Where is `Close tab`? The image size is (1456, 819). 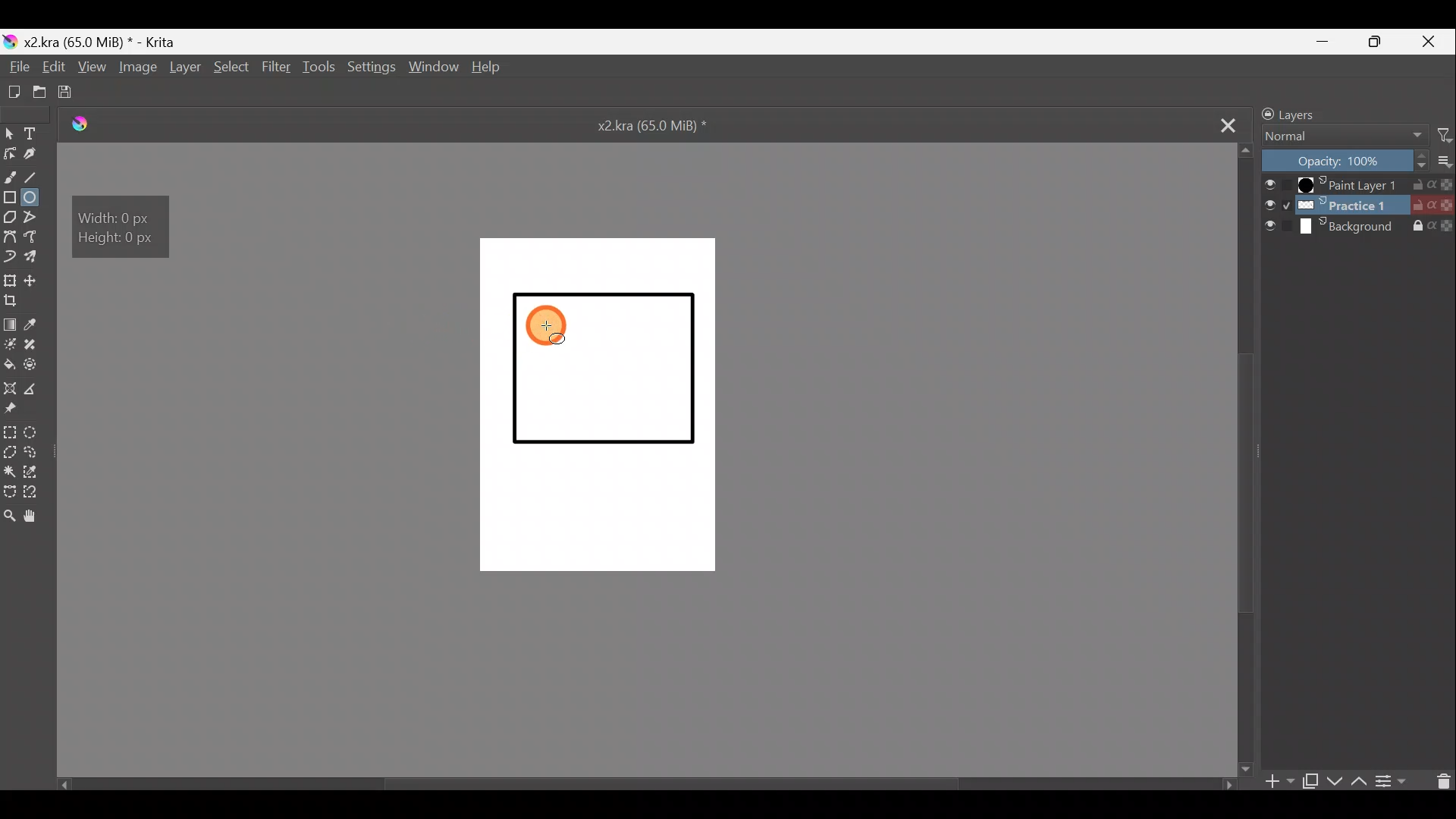
Close tab is located at coordinates (1225, 124).